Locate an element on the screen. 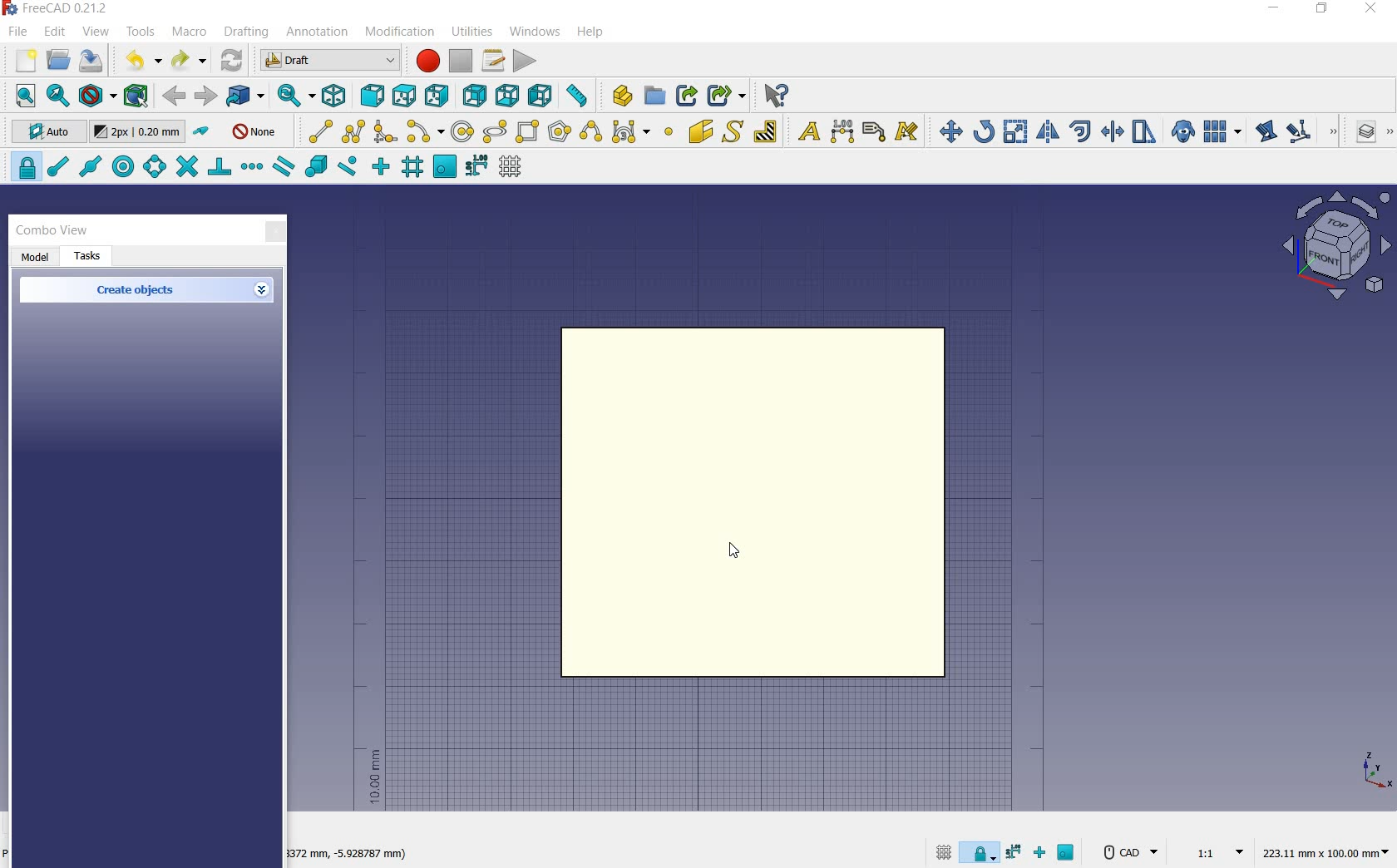 This screenshot has width=1397, height=868. front is located at coordinates (369, 96).